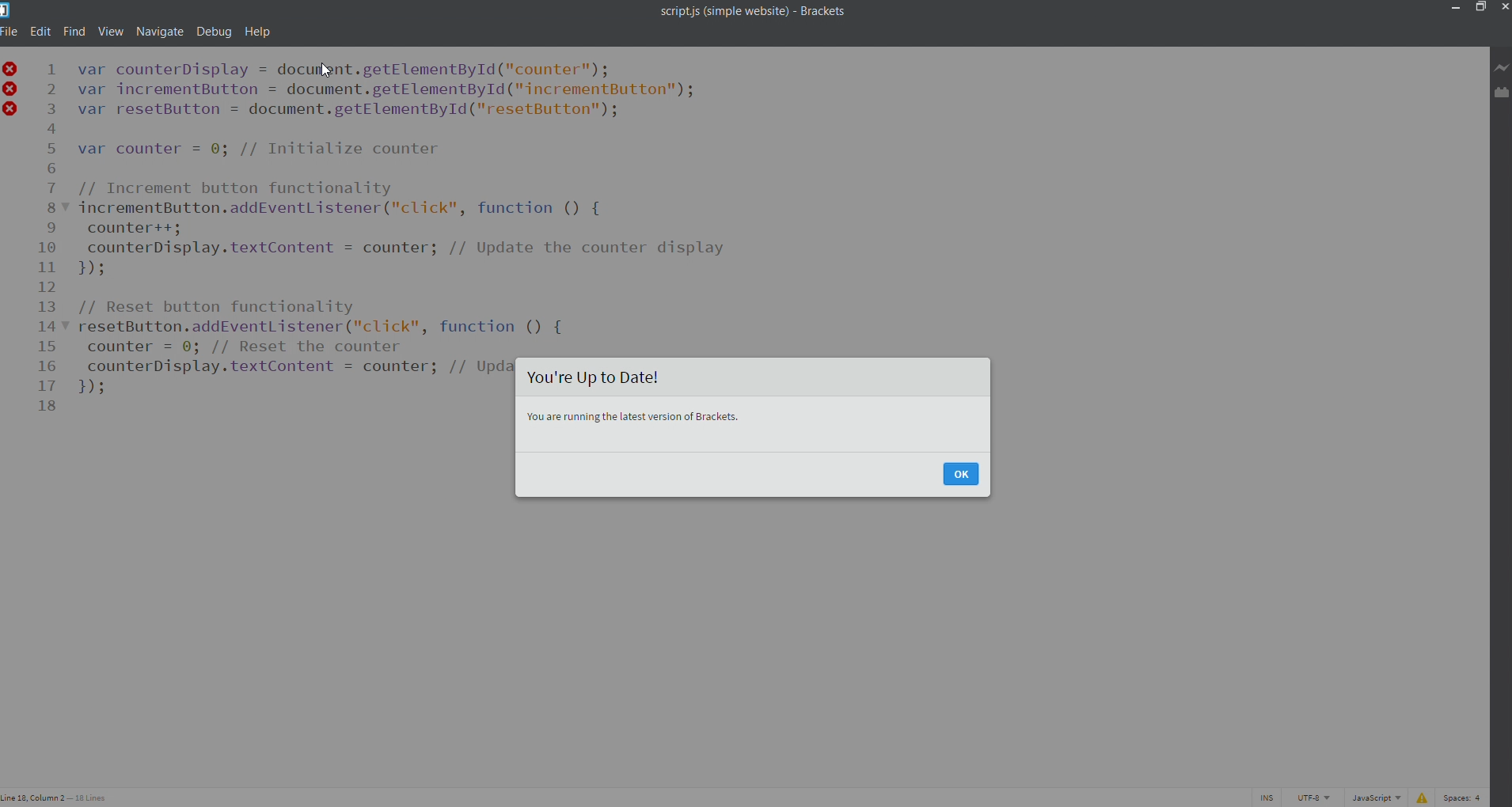  I want to click on error display, so click(1419, 798).